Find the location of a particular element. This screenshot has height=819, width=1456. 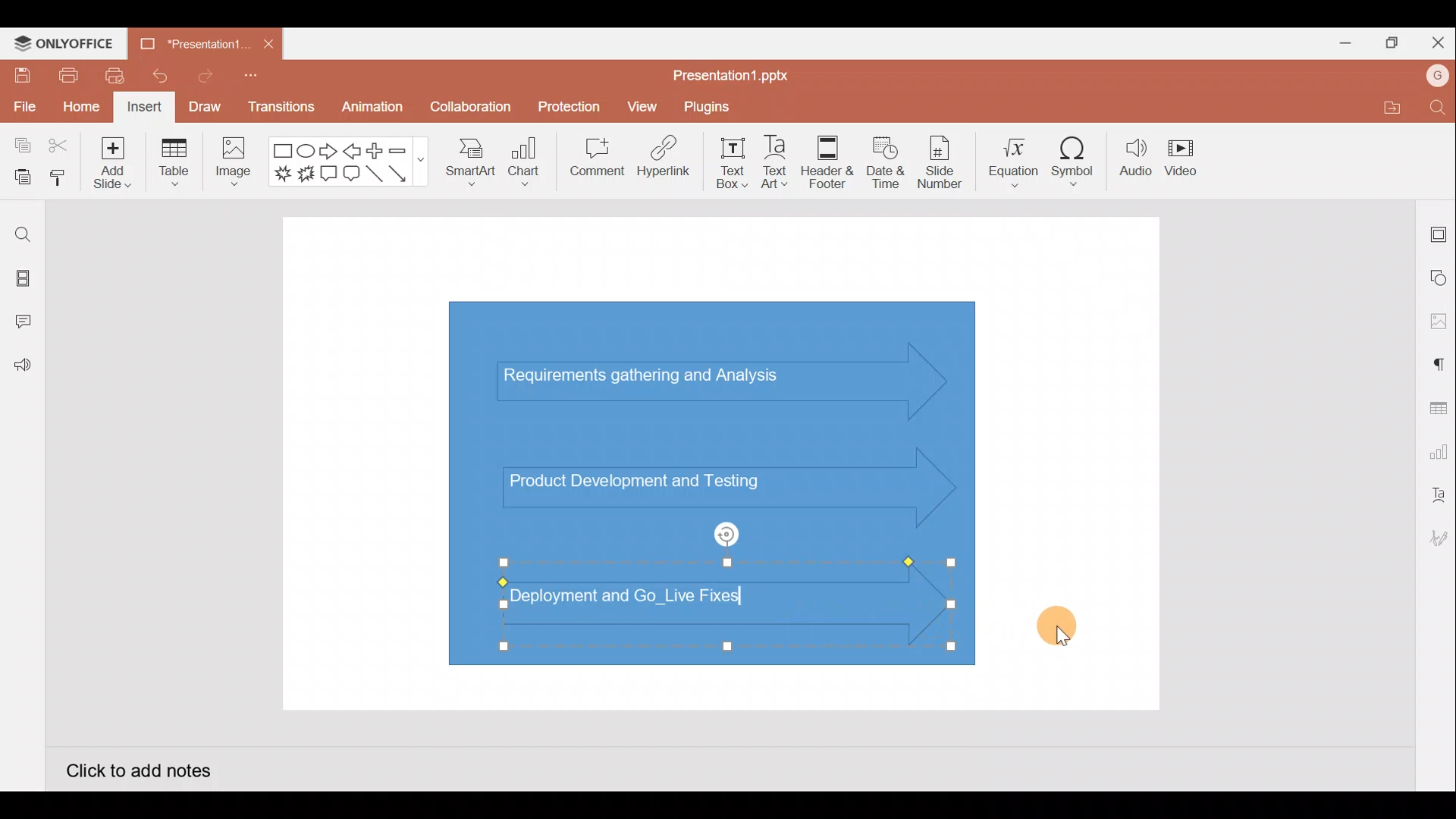

Home is located at coordinates (81, 108).